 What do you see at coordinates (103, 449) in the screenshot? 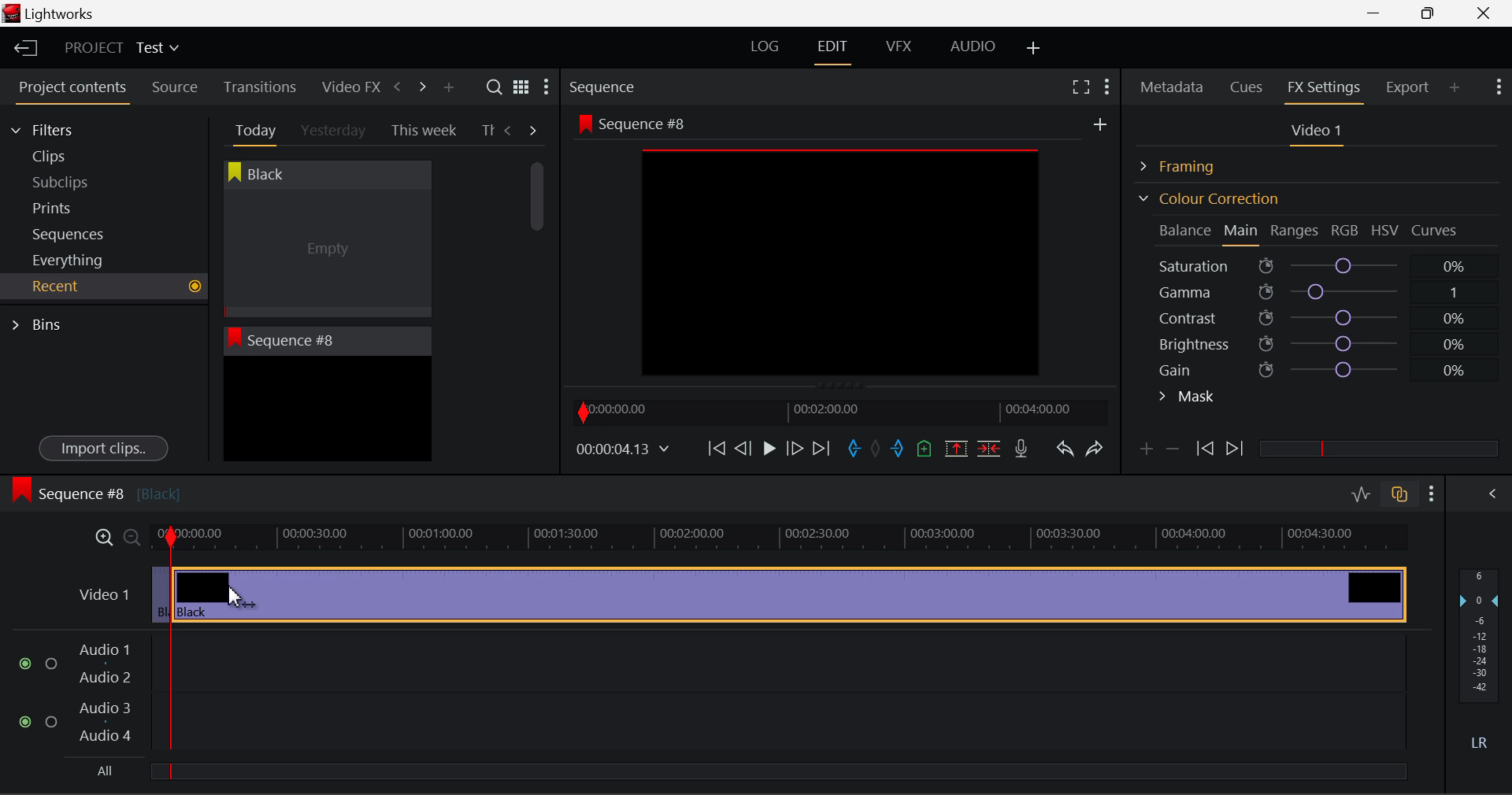
I see `Import clips` at bounding box center [103, 449].